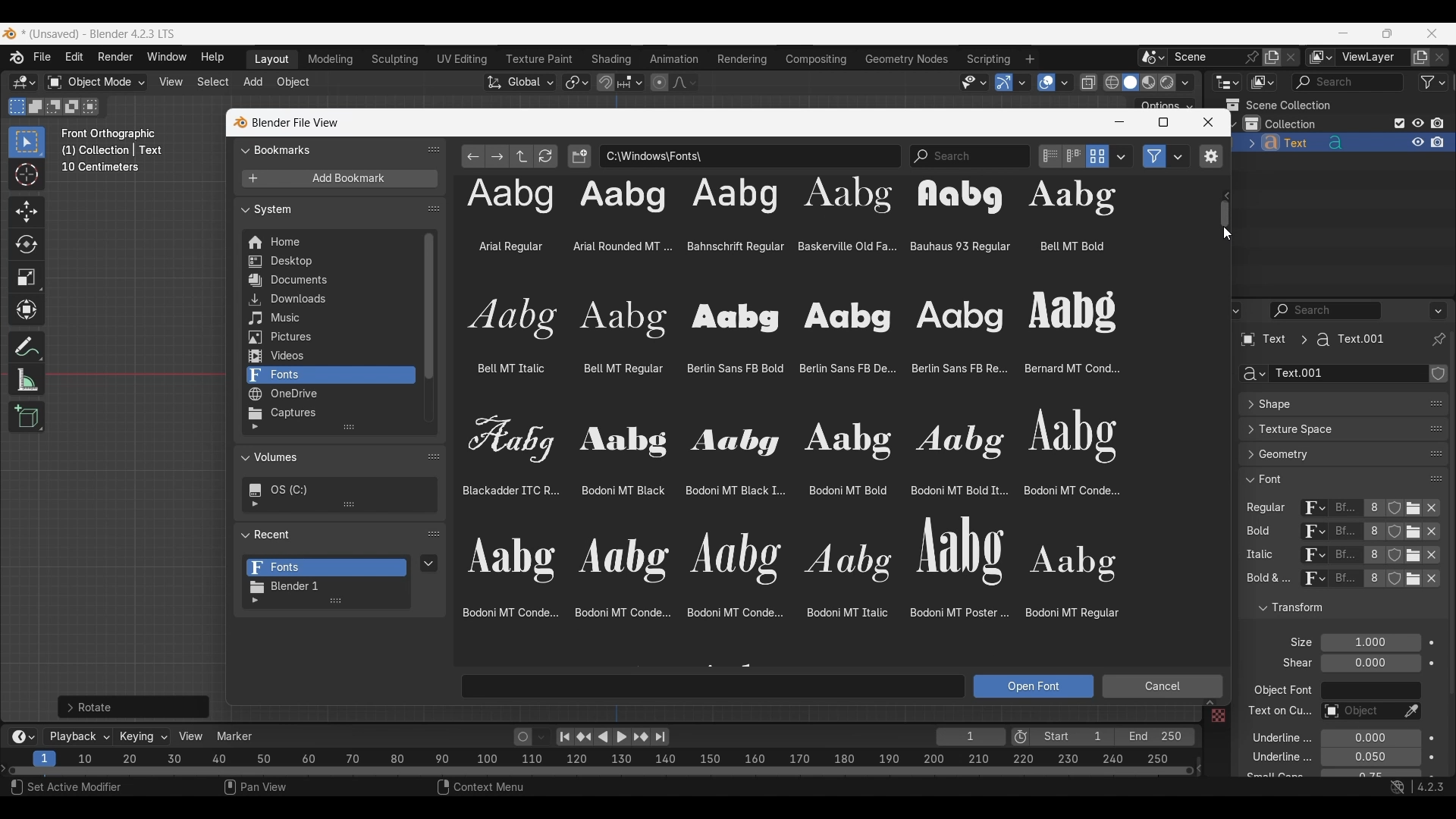 The image size is (1456, 819). Describe the element at coordinates (1432, 708) in the screenshot. I see `Animate property of respective attribute` at that location.